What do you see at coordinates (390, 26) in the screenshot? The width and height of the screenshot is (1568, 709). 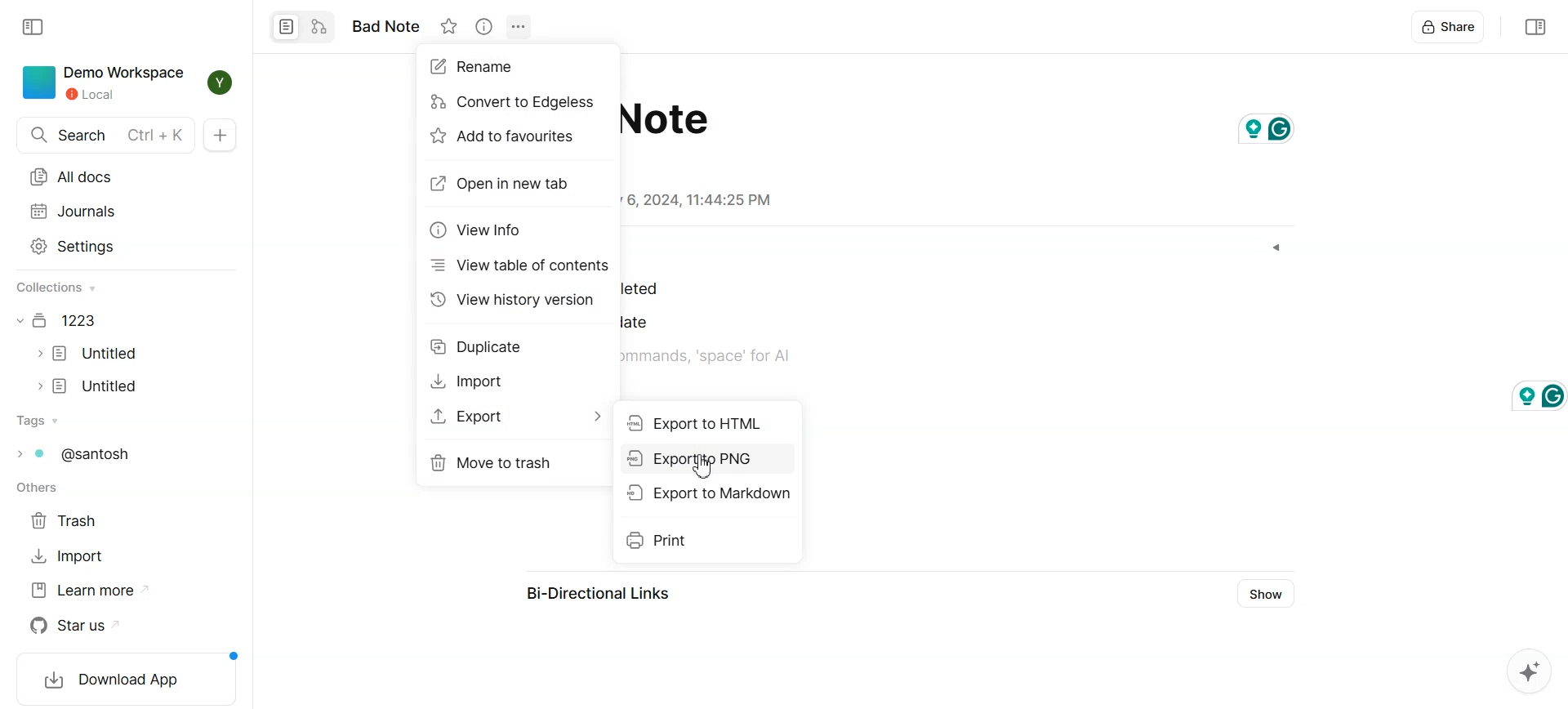 I see `note name` at bounding box center [390, 26].